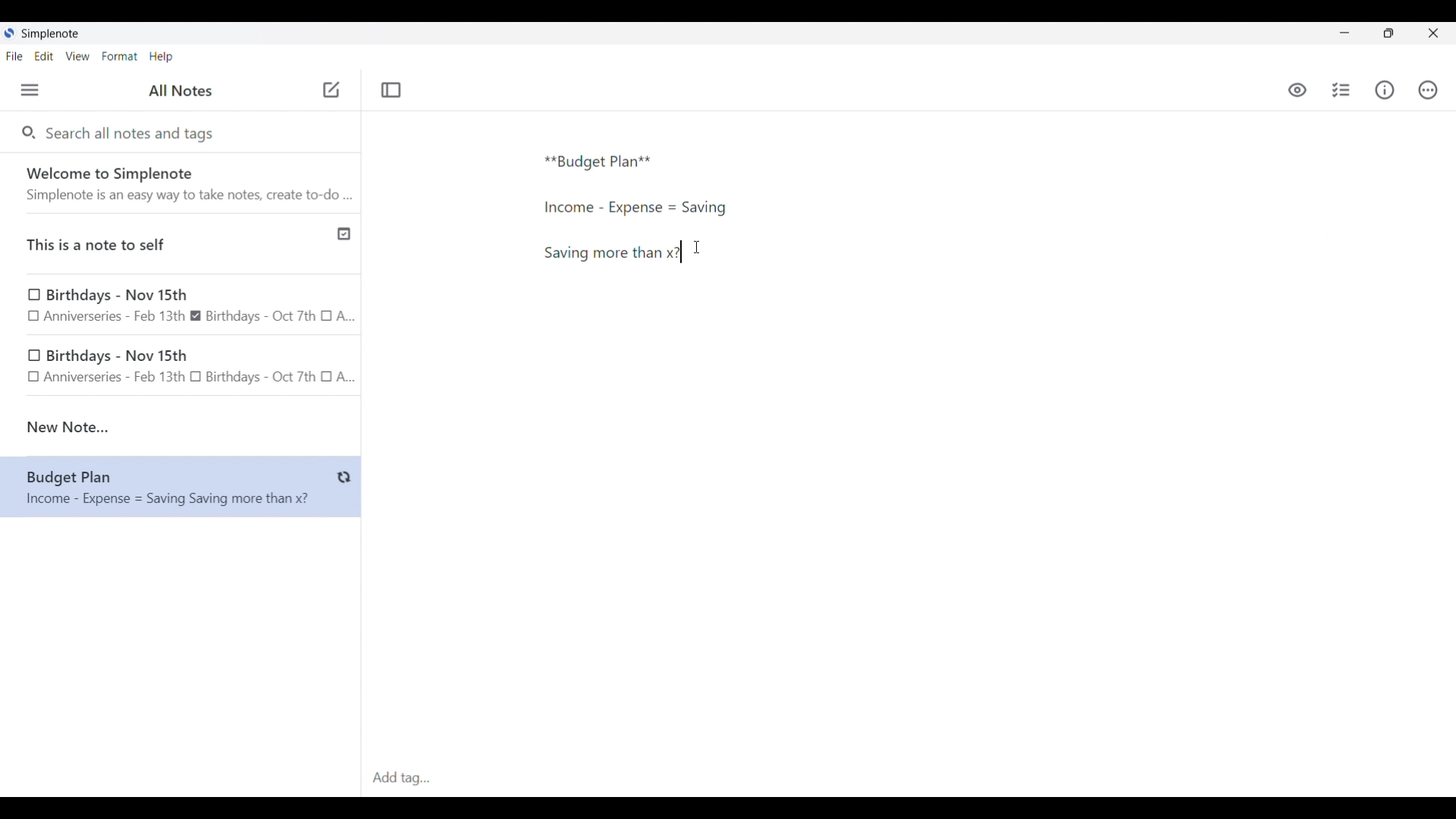 The image size is (1456, 819). I want to click on Close interface, so click(1433, 33).